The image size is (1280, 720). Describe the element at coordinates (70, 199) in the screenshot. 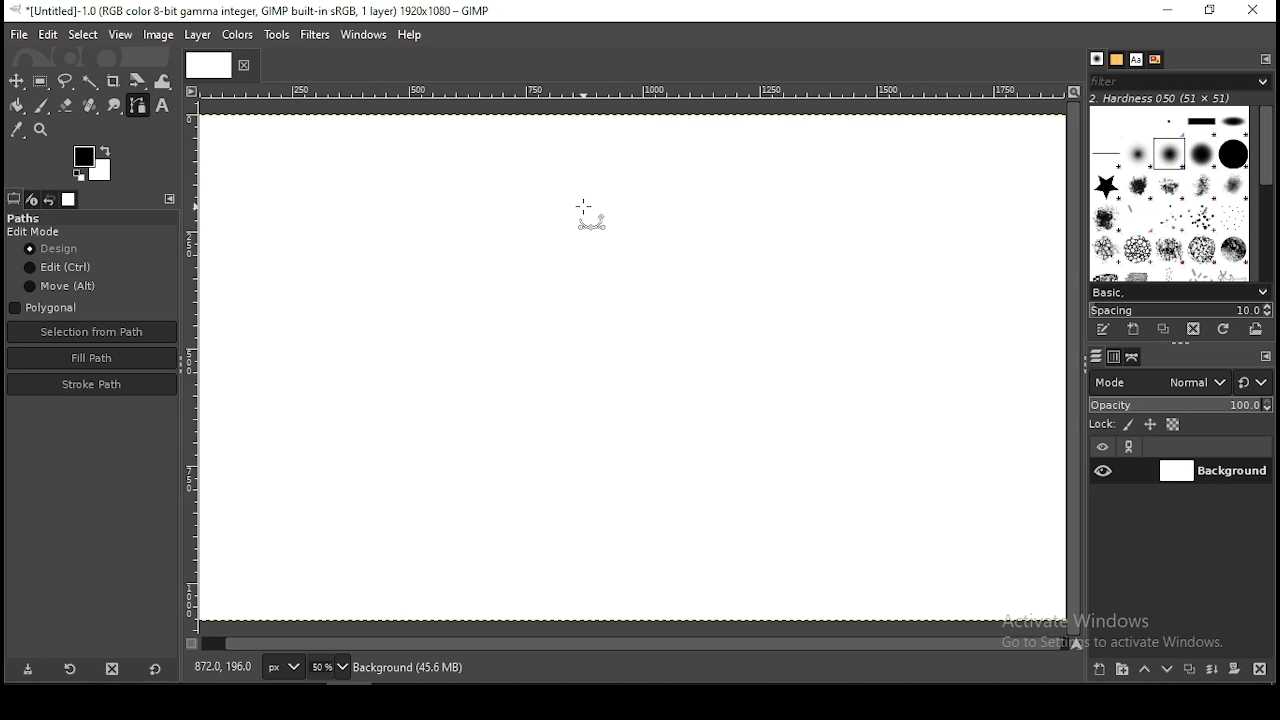

I see `images` at that location.